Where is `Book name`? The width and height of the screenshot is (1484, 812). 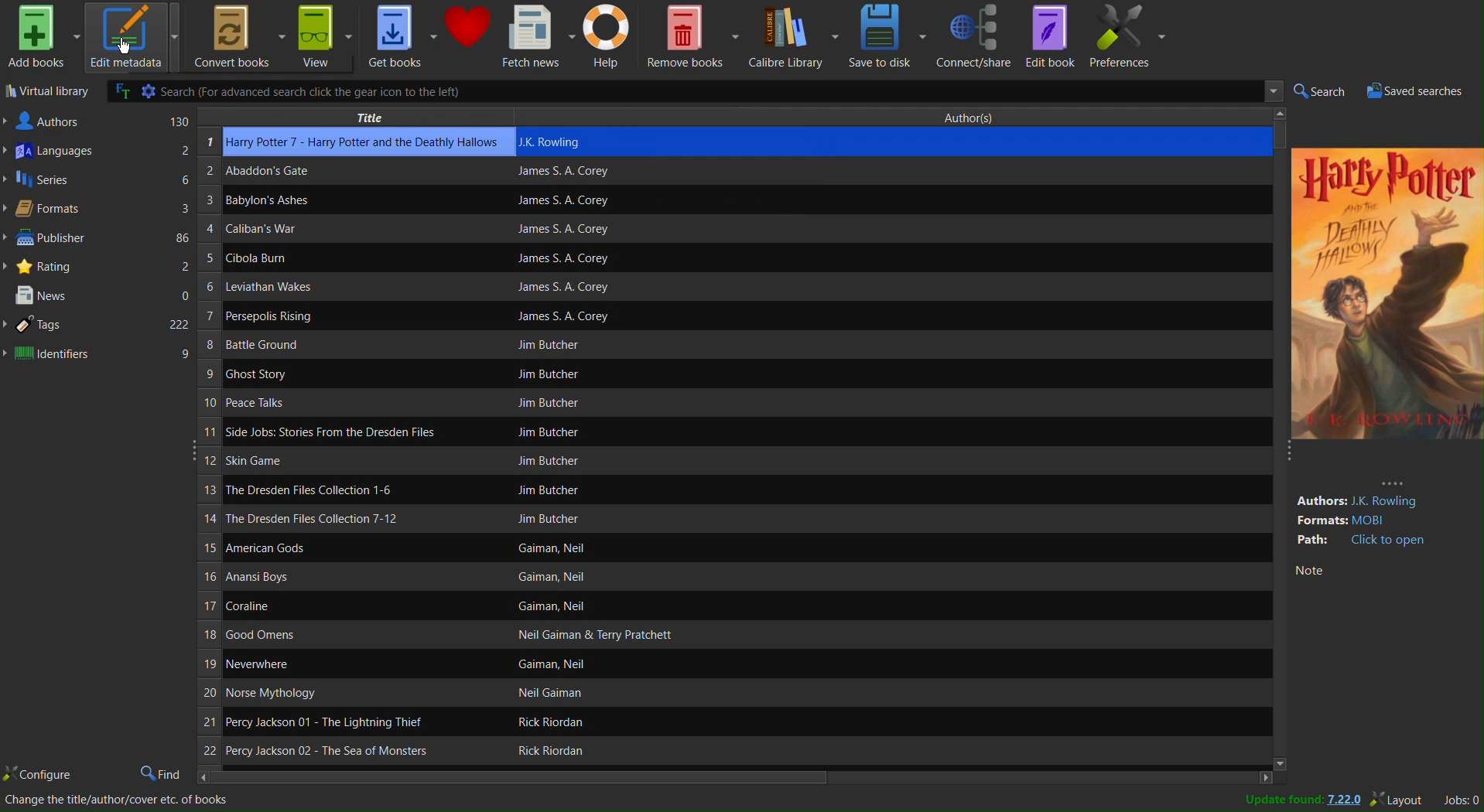 Book name is located at coordinates (303, 664).